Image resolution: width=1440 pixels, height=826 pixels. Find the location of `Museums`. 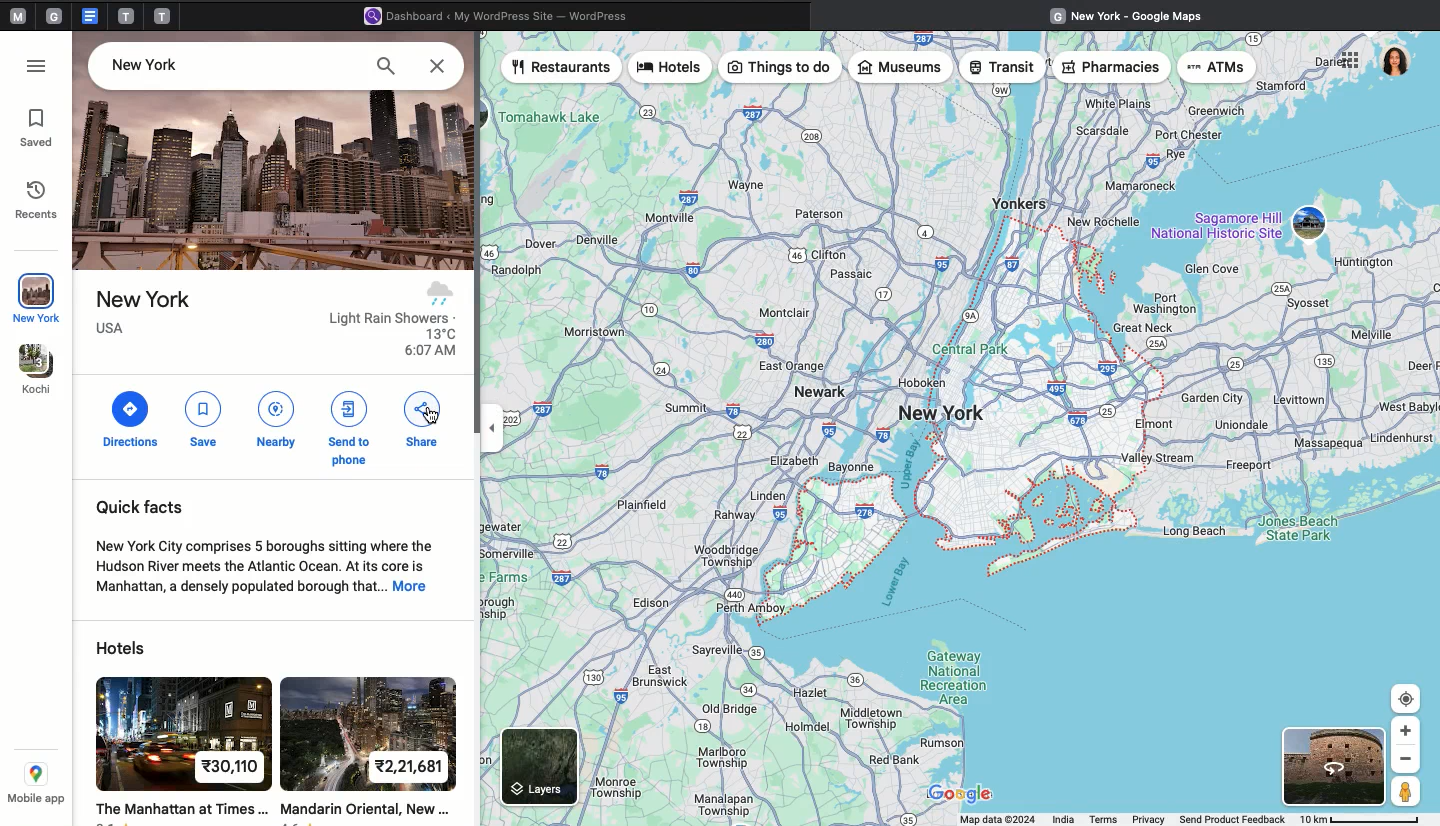

Museums is located at coordinates (902, 69).